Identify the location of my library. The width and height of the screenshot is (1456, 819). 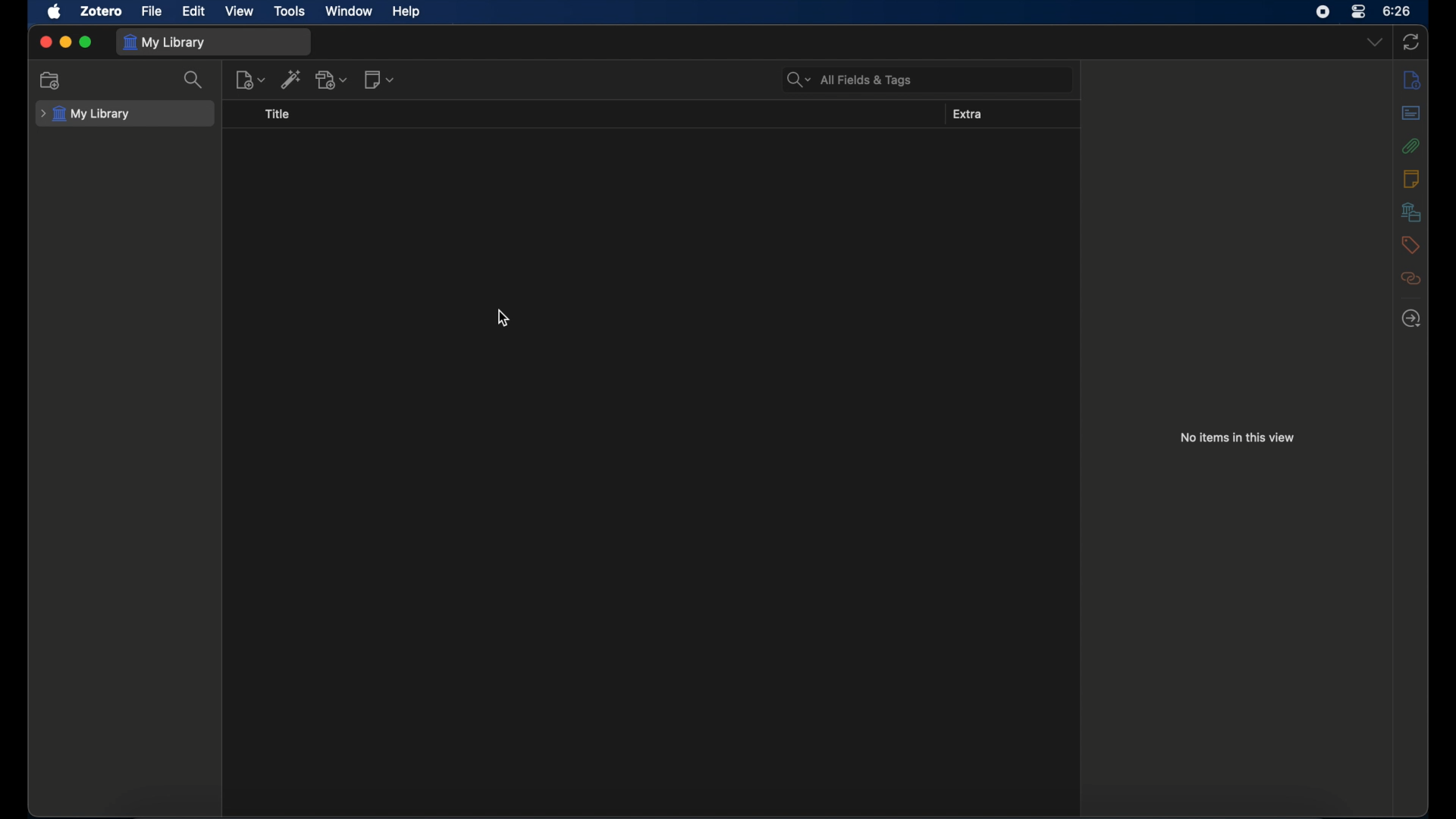
(167, 42).